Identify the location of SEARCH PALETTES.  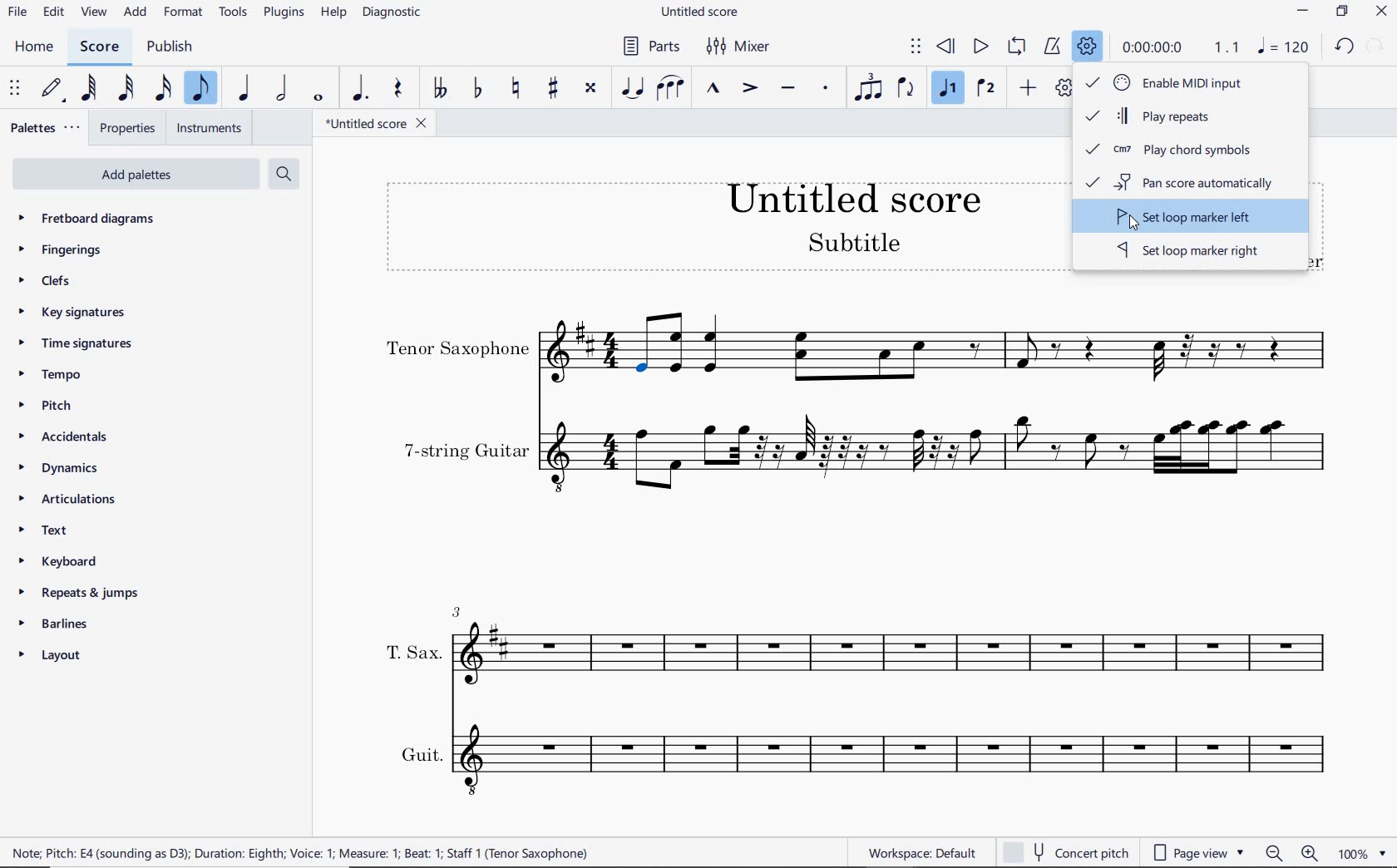
(284, 173).